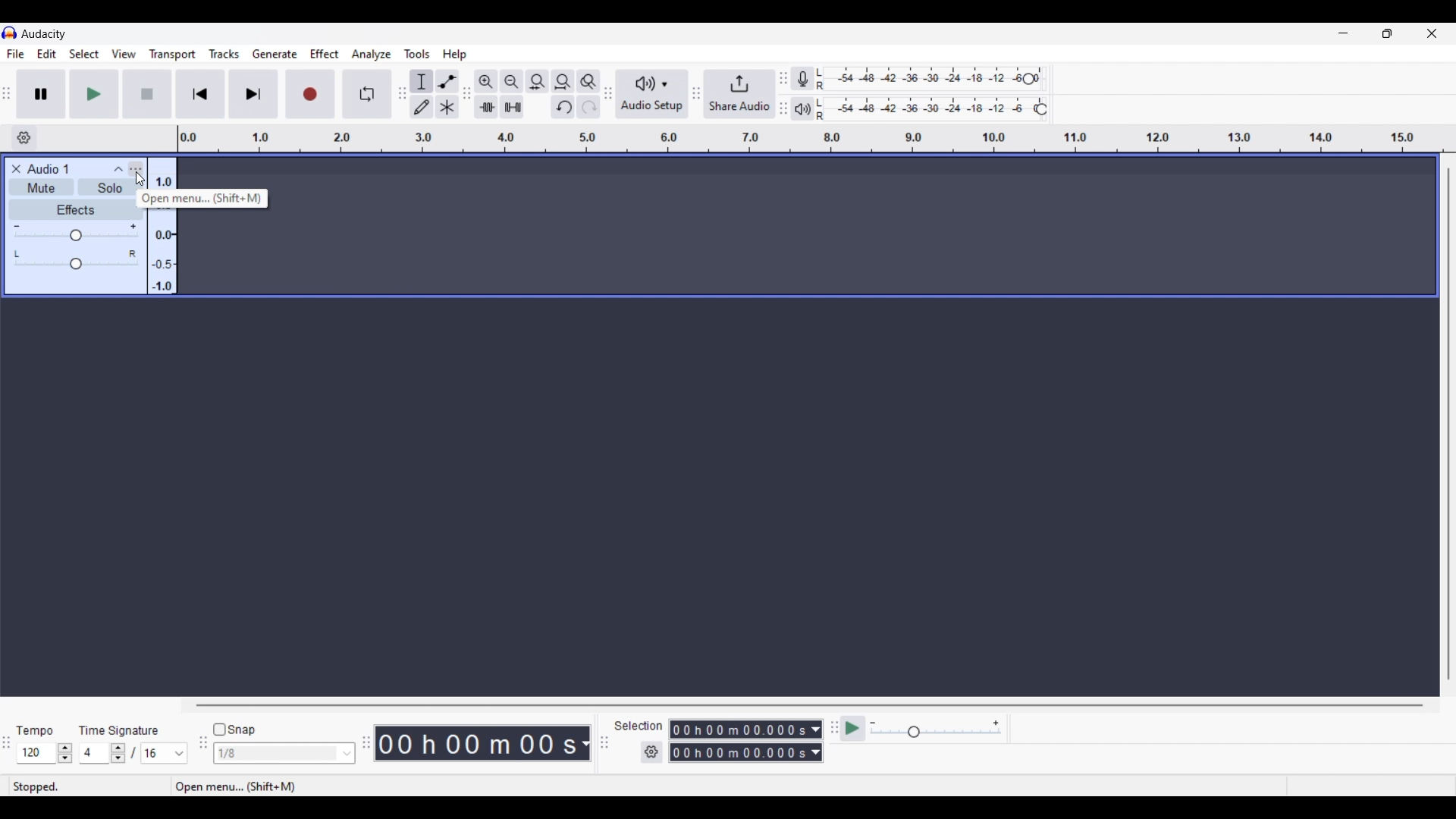 This screenshot has width=1456, height=819. Describe the element at coordinates (57, 169) in the screenshot. I see `Audio 1` at that location.